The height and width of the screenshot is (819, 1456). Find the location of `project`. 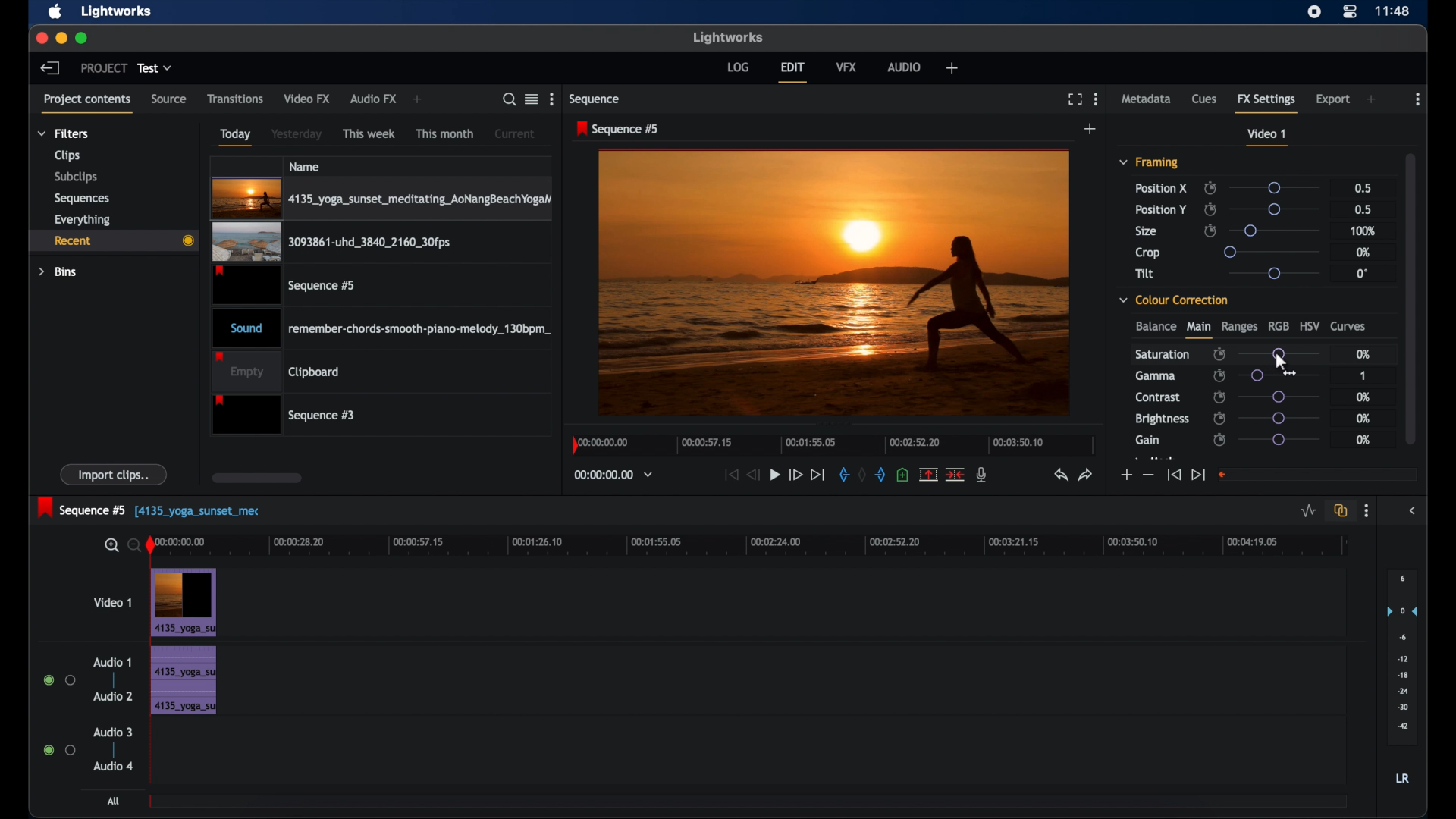

project is located at coordinates (104, 68).